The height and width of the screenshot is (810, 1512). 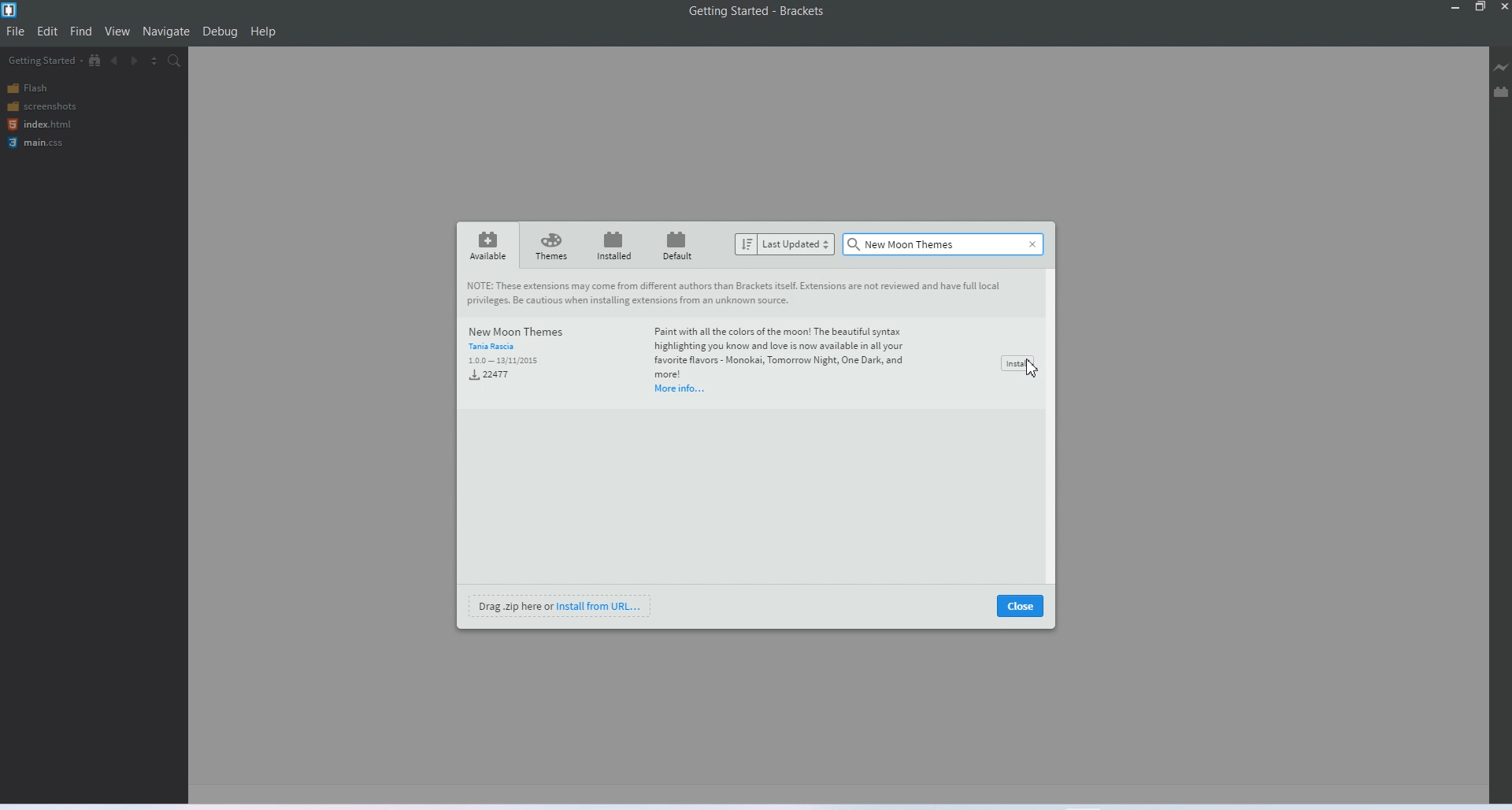 What do you see at coordinates (1480, 9) in the screenshot?
I see `Maximize` at bounding box center [1480, 9].